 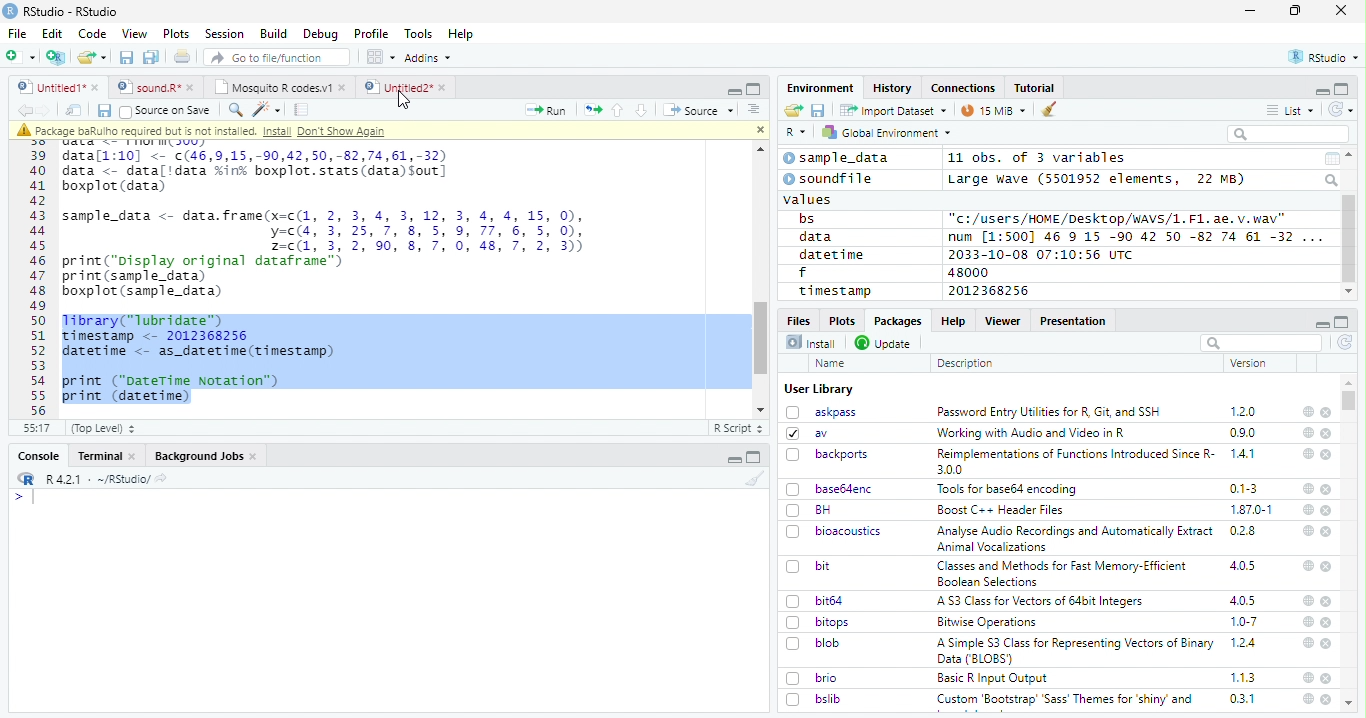 I want to click on package baRulho required but is not installed. Intall Don't show again., so click(x=207, y=131).